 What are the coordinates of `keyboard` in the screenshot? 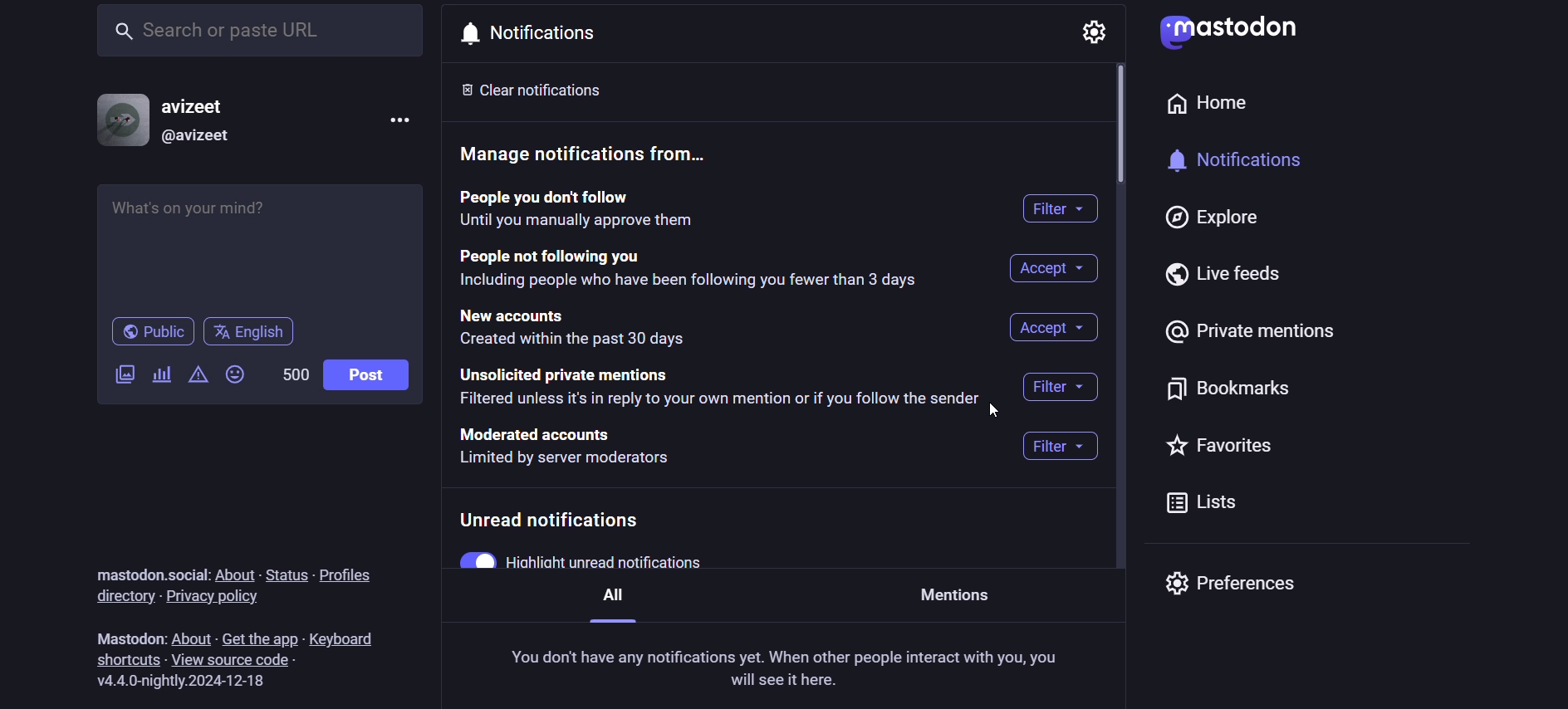 It's located at (354, 639).